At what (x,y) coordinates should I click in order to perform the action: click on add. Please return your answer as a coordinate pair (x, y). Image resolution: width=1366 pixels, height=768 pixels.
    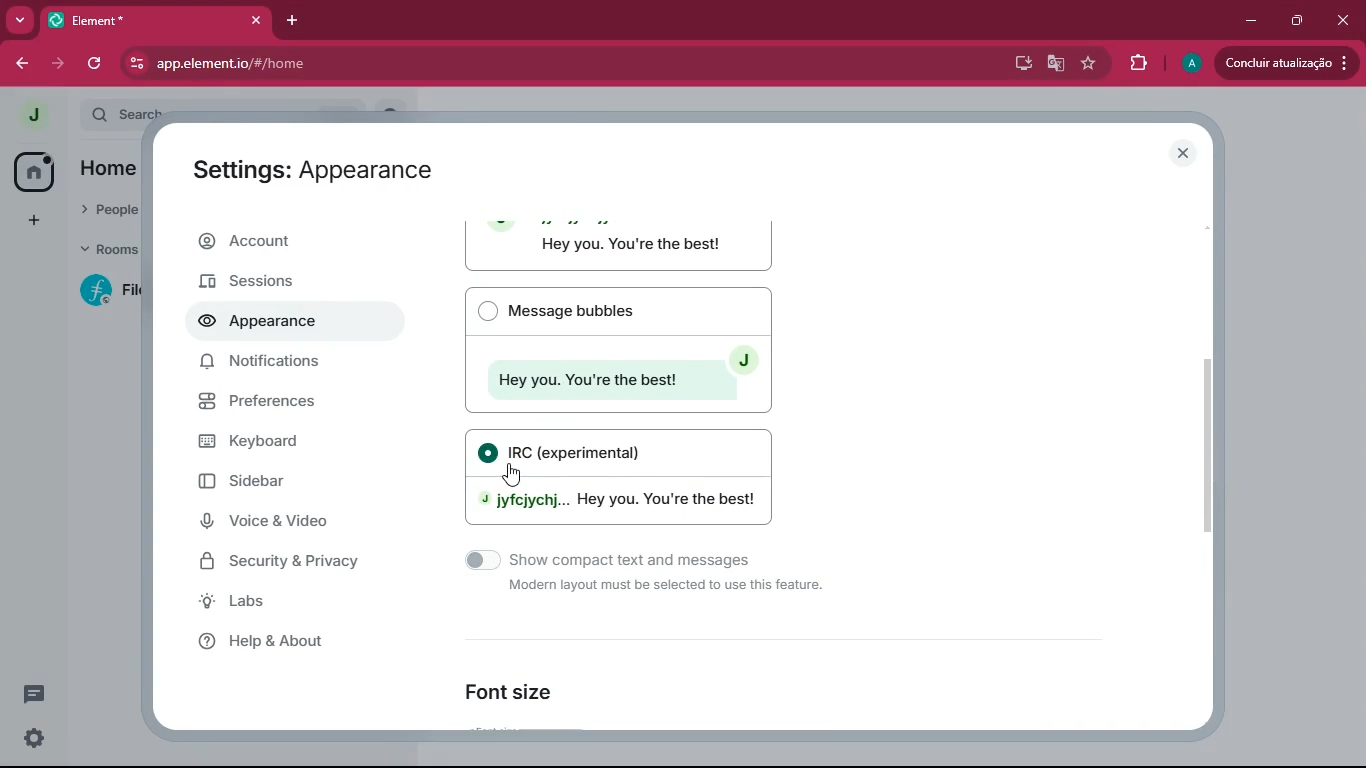
    Looking at the image, I should click on (38, 218).